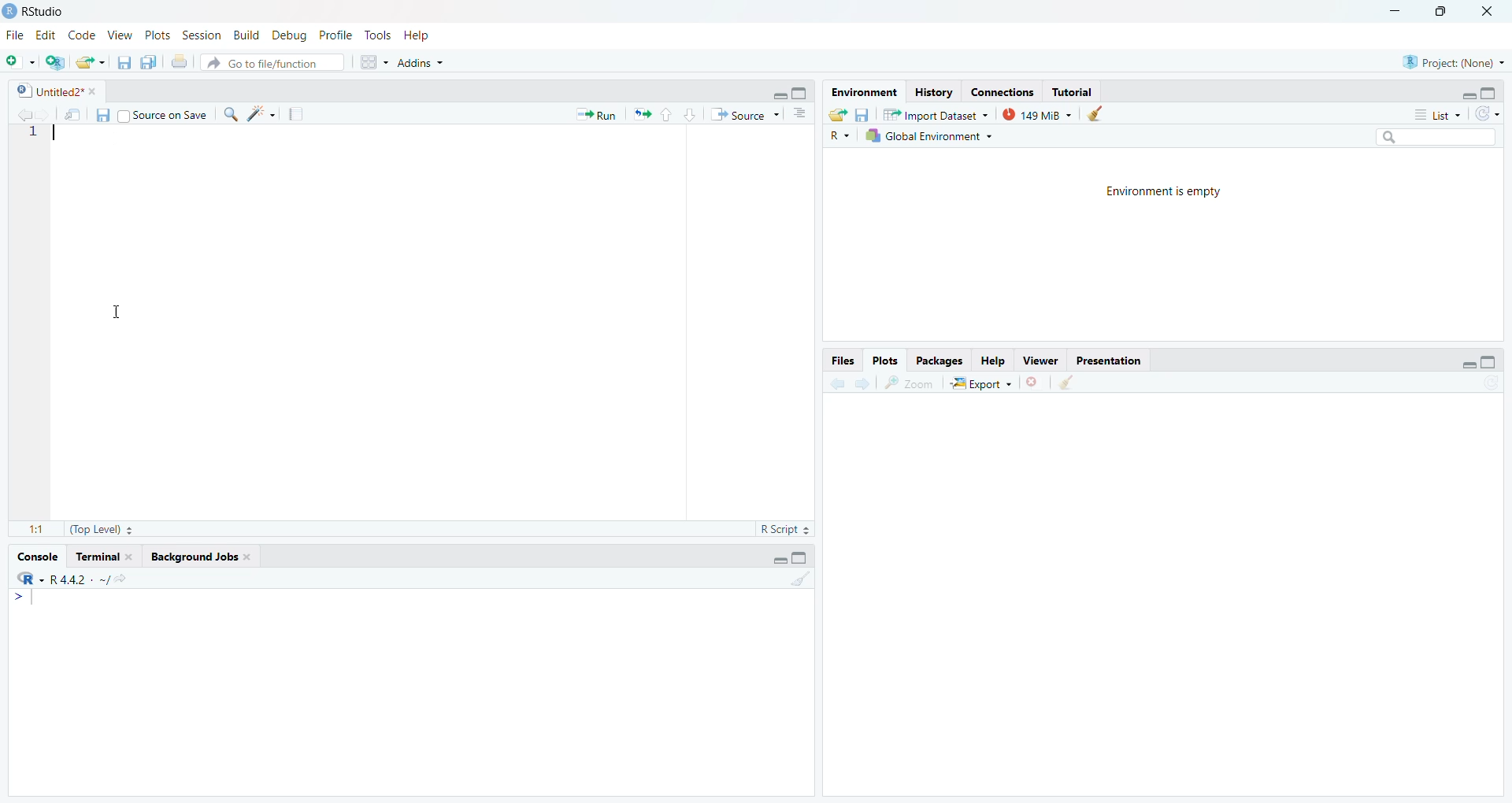 This screenshot has height=803, width=1512. I want to click on Global Environment, so click(928, 139).